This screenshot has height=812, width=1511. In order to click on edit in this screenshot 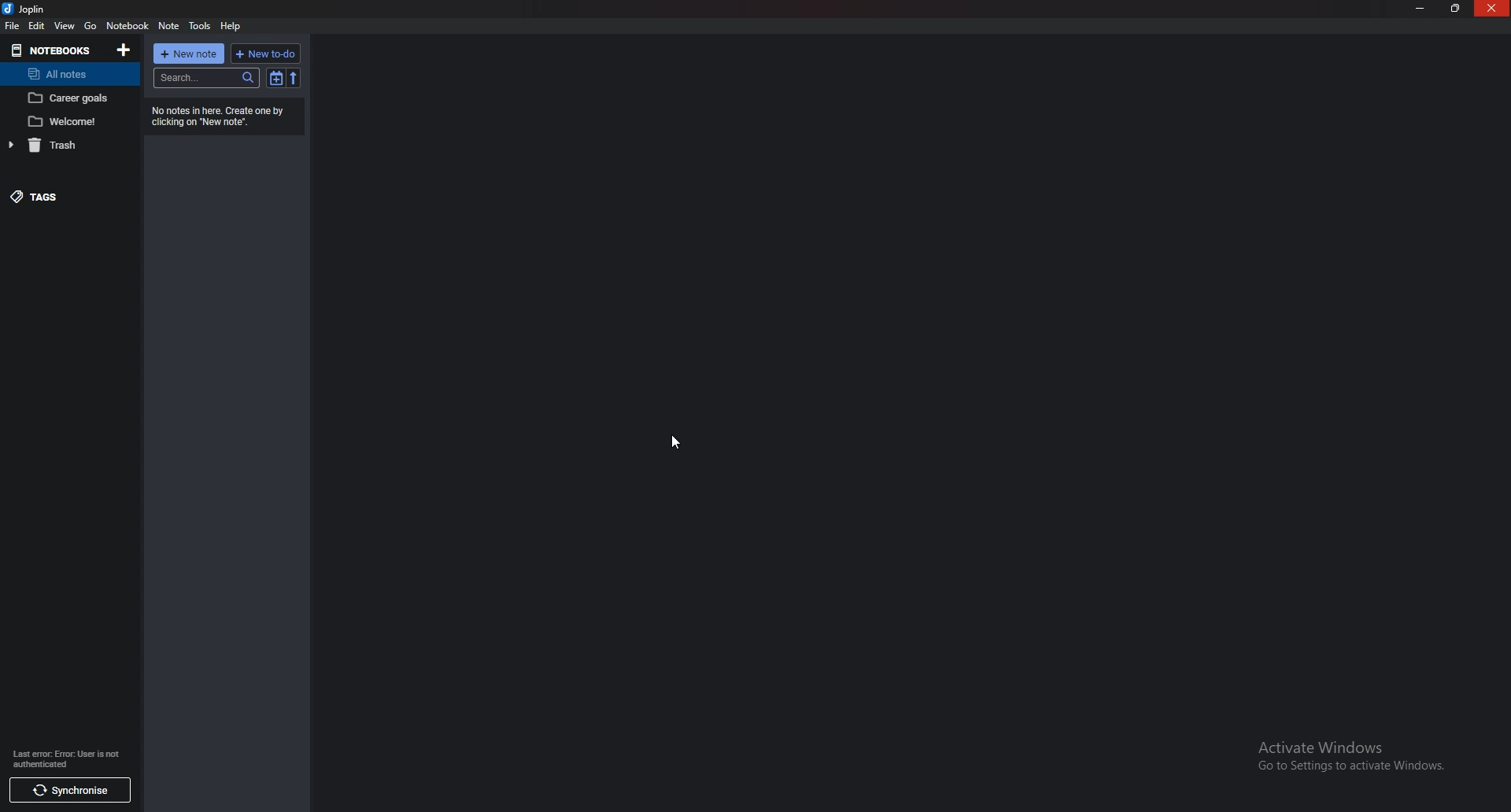, I will do `click(38, 26)`.